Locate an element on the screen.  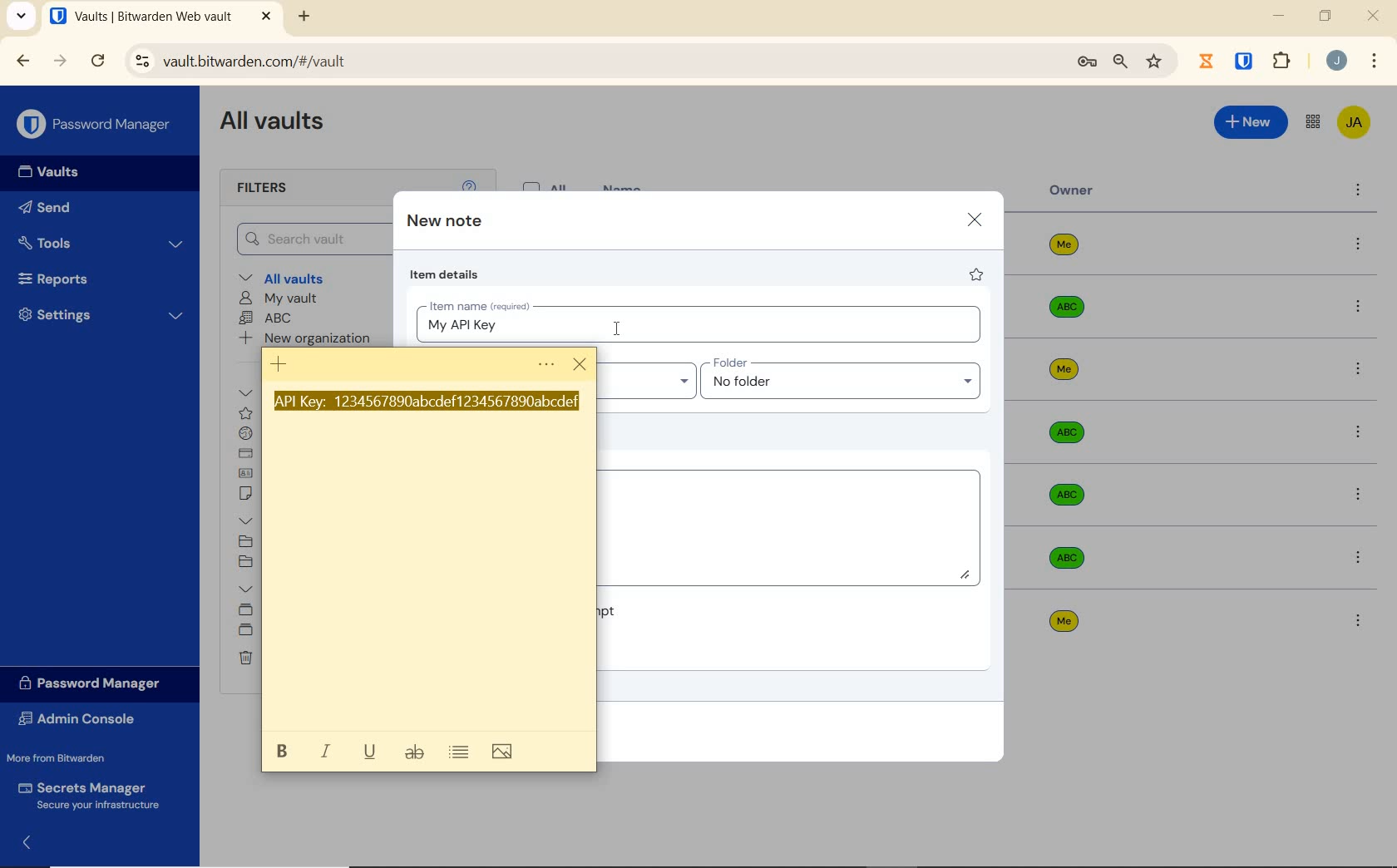
All is located at coordinates (548, 184).